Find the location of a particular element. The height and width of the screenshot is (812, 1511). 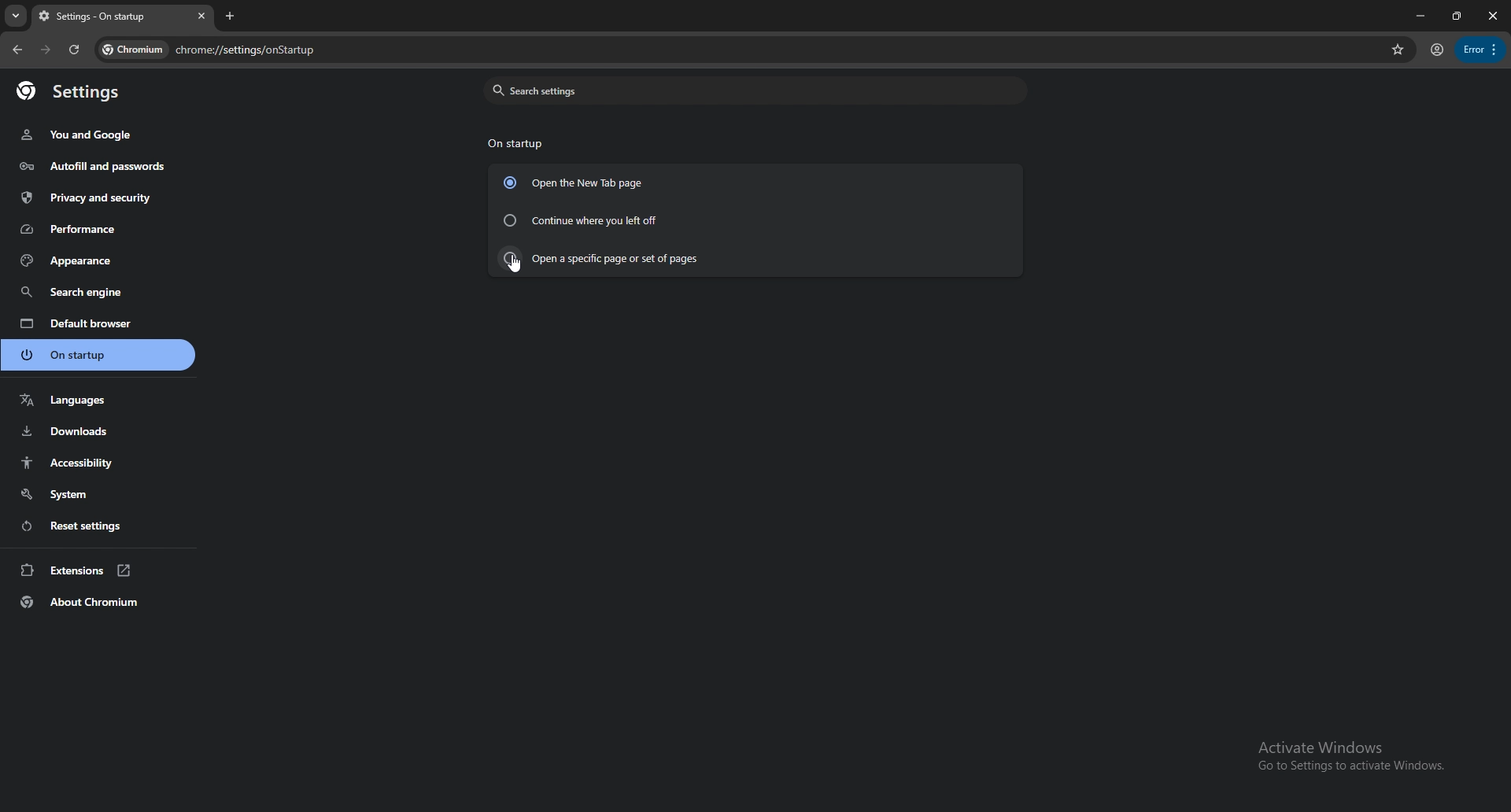

open the new tab page is located at coordinates (573, 183).